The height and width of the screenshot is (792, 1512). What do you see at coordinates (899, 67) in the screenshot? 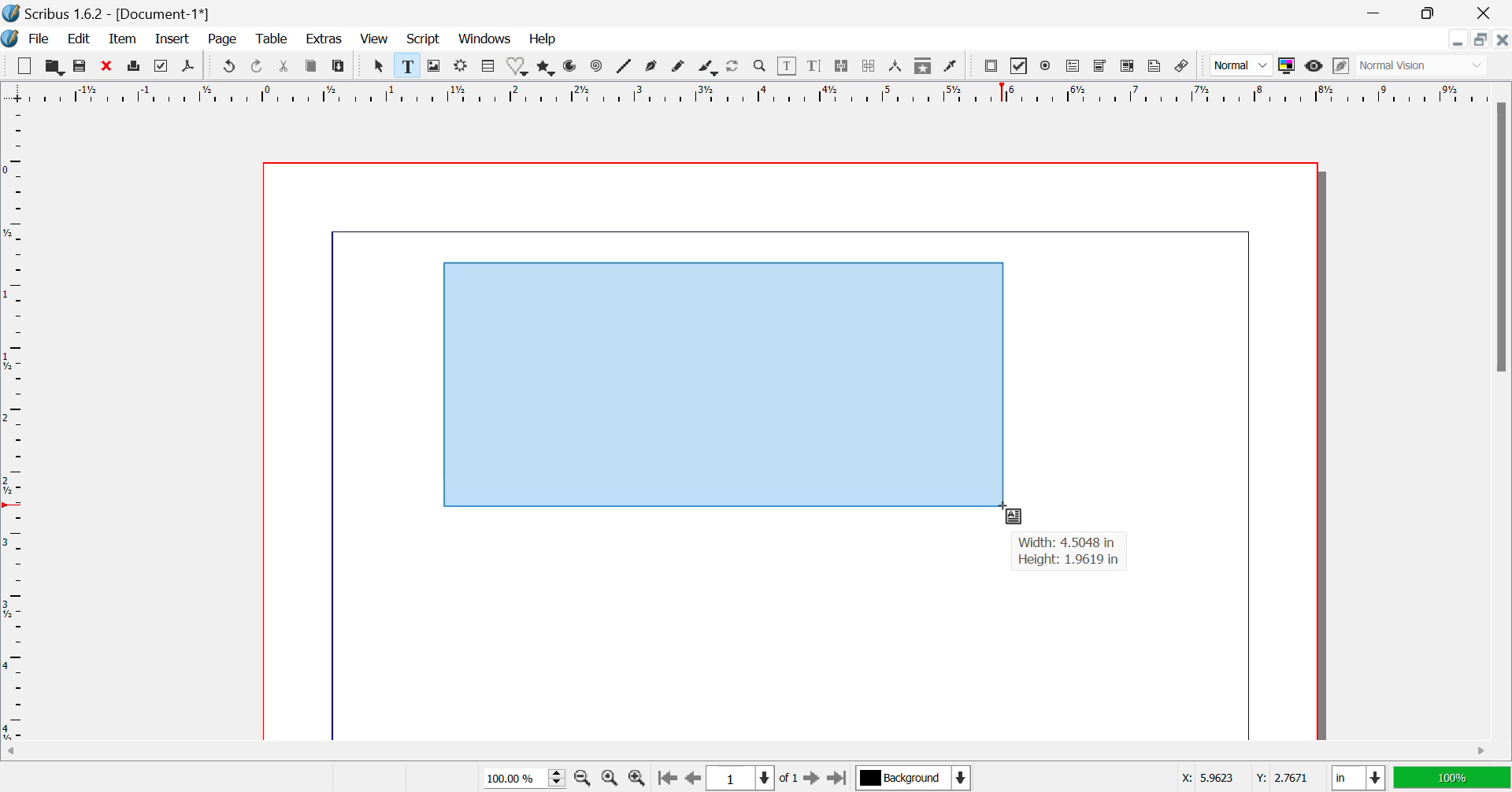
I see `Measurements` at bounding box center [899, 67].